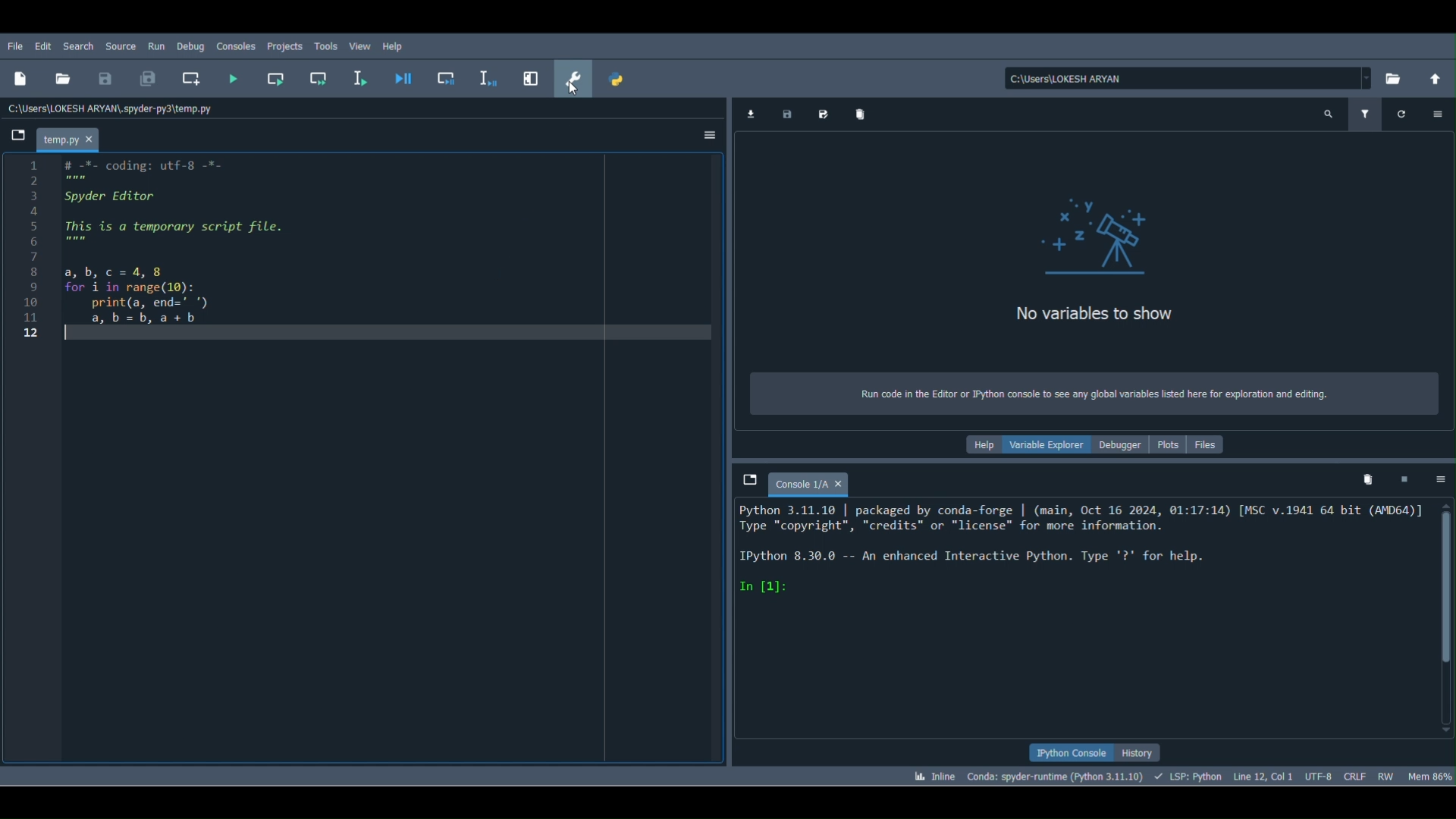  Describe the element at coordinates (453, 80) in the screenshot. I see `Debug cell` at that location.